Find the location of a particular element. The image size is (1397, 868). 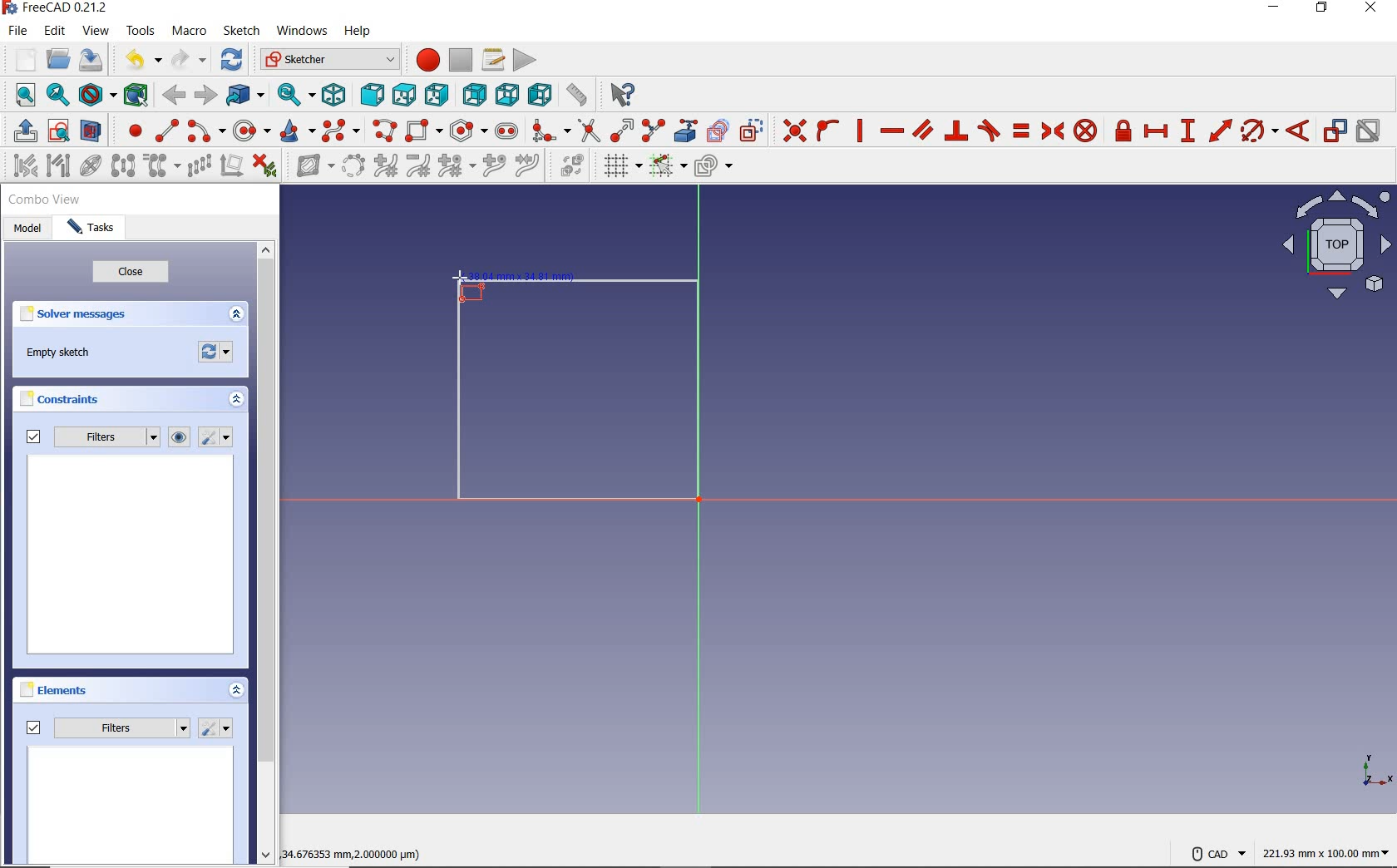

create fillet is located at coordinates (546, 131).